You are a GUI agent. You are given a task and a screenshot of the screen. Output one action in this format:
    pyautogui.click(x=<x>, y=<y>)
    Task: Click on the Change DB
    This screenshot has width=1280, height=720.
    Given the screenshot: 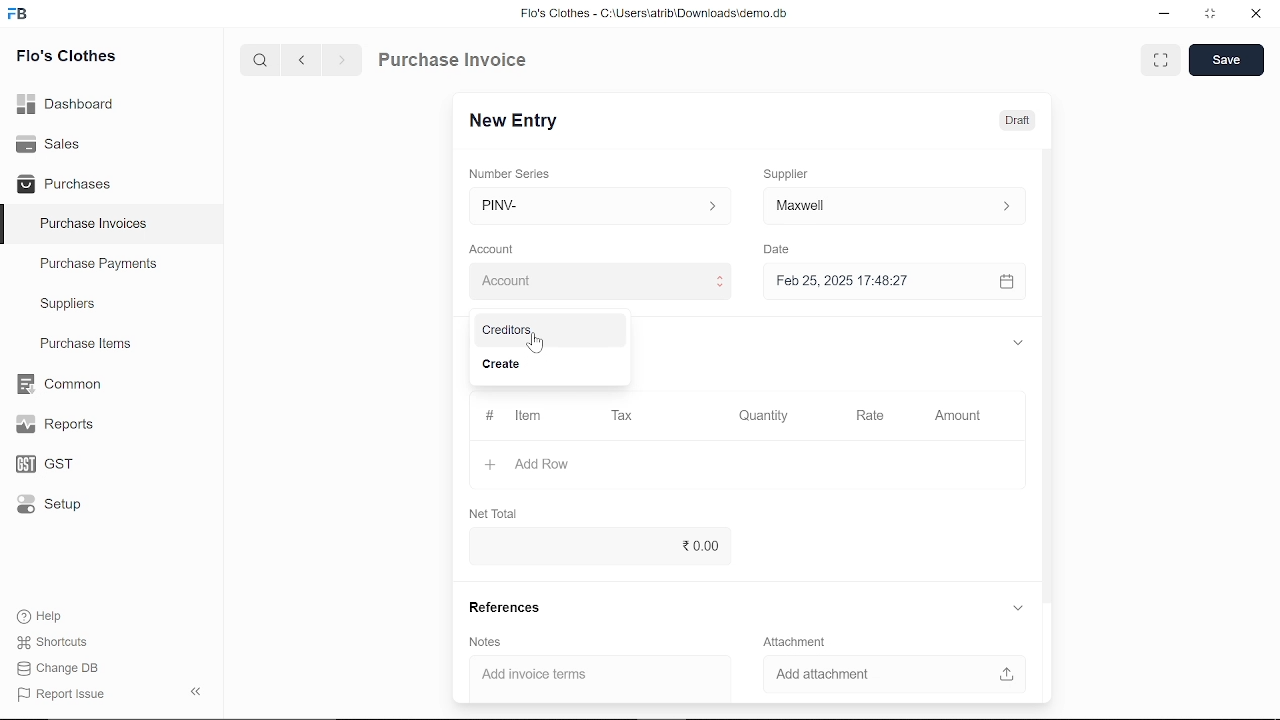 What is the action you would take?
    pyautogui.click(x=58, y=670)
    